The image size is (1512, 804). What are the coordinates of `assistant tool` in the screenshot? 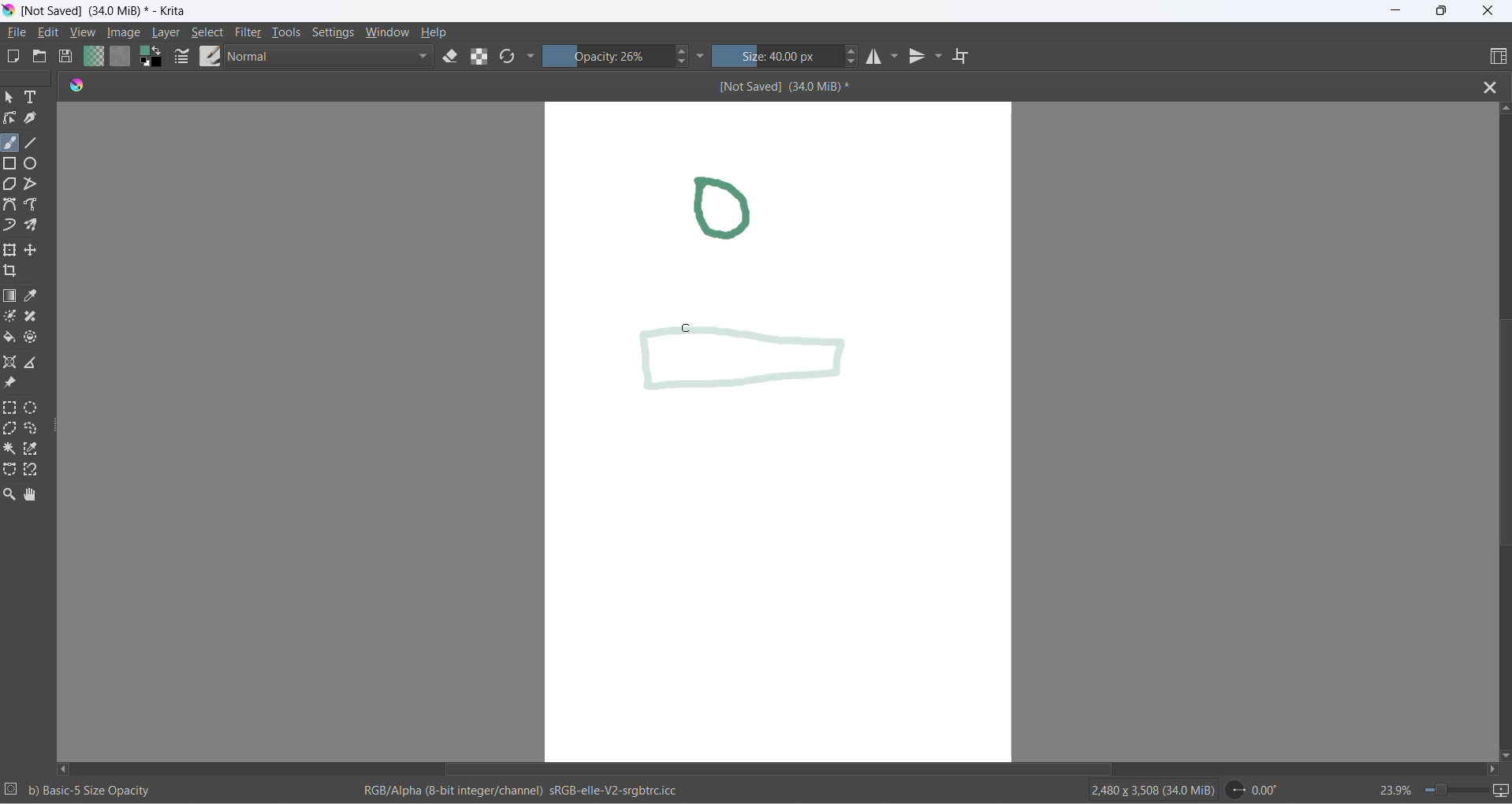 It's located at (12, 362).